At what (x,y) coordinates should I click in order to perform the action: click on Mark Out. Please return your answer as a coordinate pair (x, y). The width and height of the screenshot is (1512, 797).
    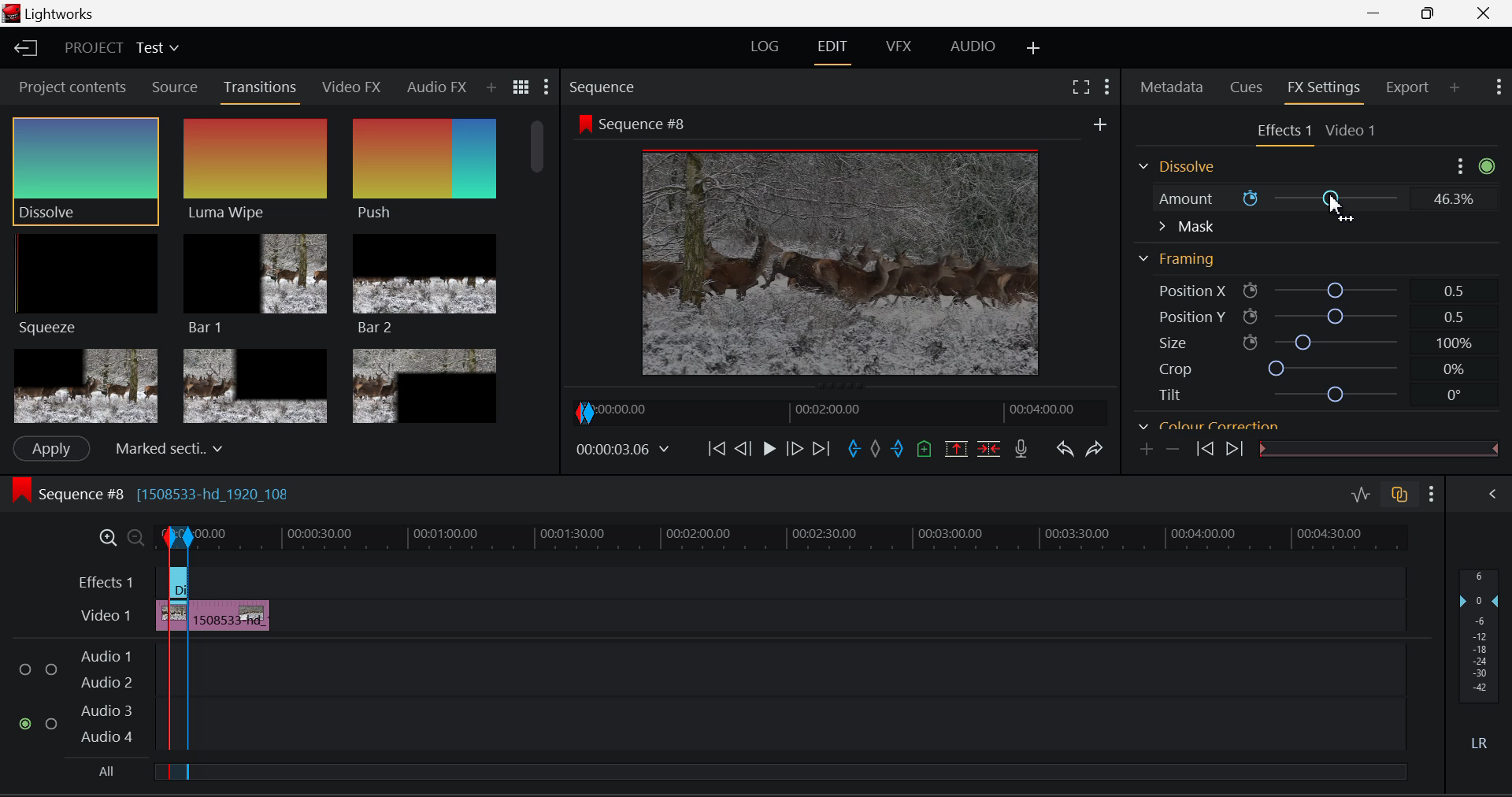
    Looking at the image, I should click on (898, 451).